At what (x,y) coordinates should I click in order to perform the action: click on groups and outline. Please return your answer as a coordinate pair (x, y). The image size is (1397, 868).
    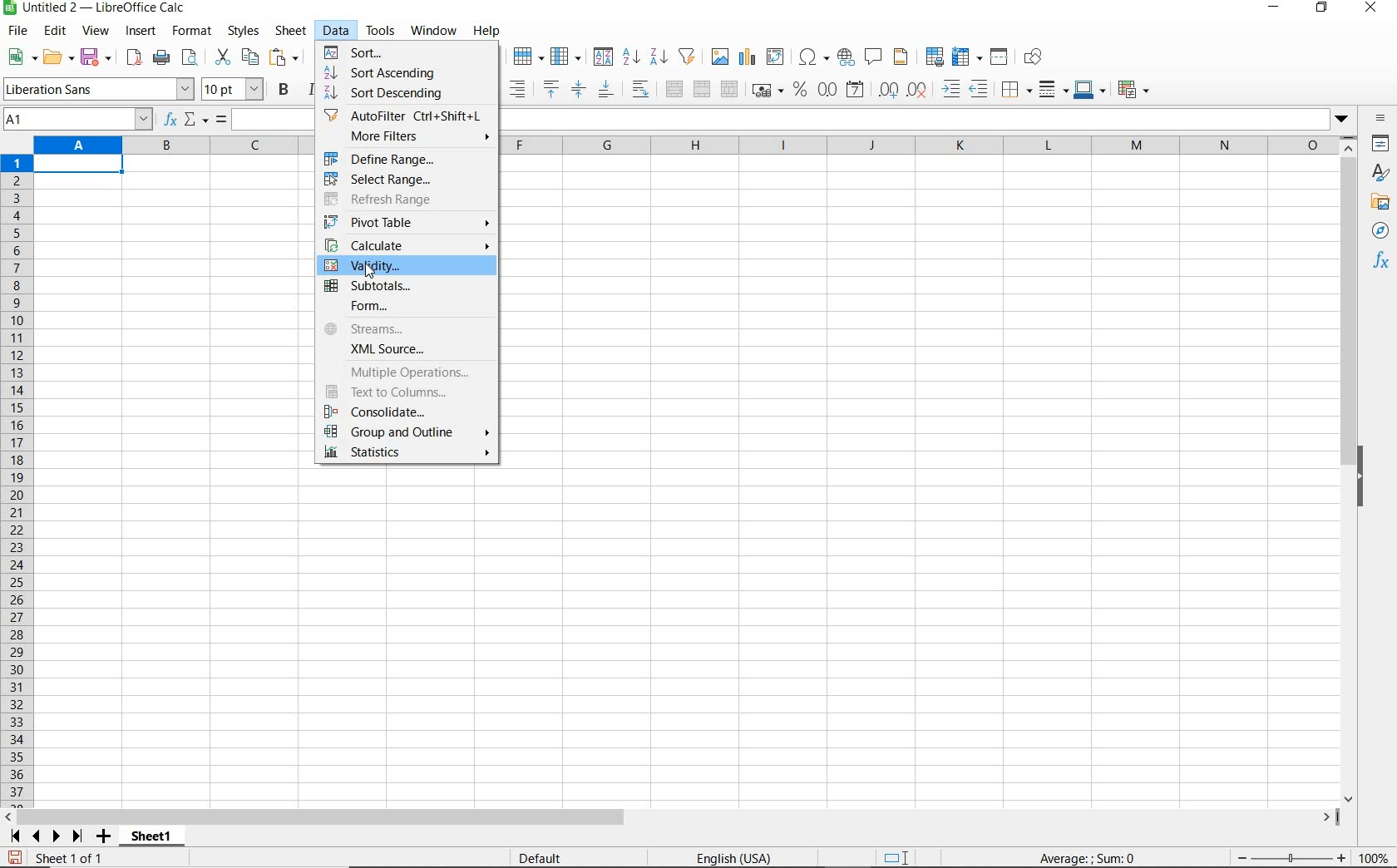
    Looking at the image, I should click on (403, 433).